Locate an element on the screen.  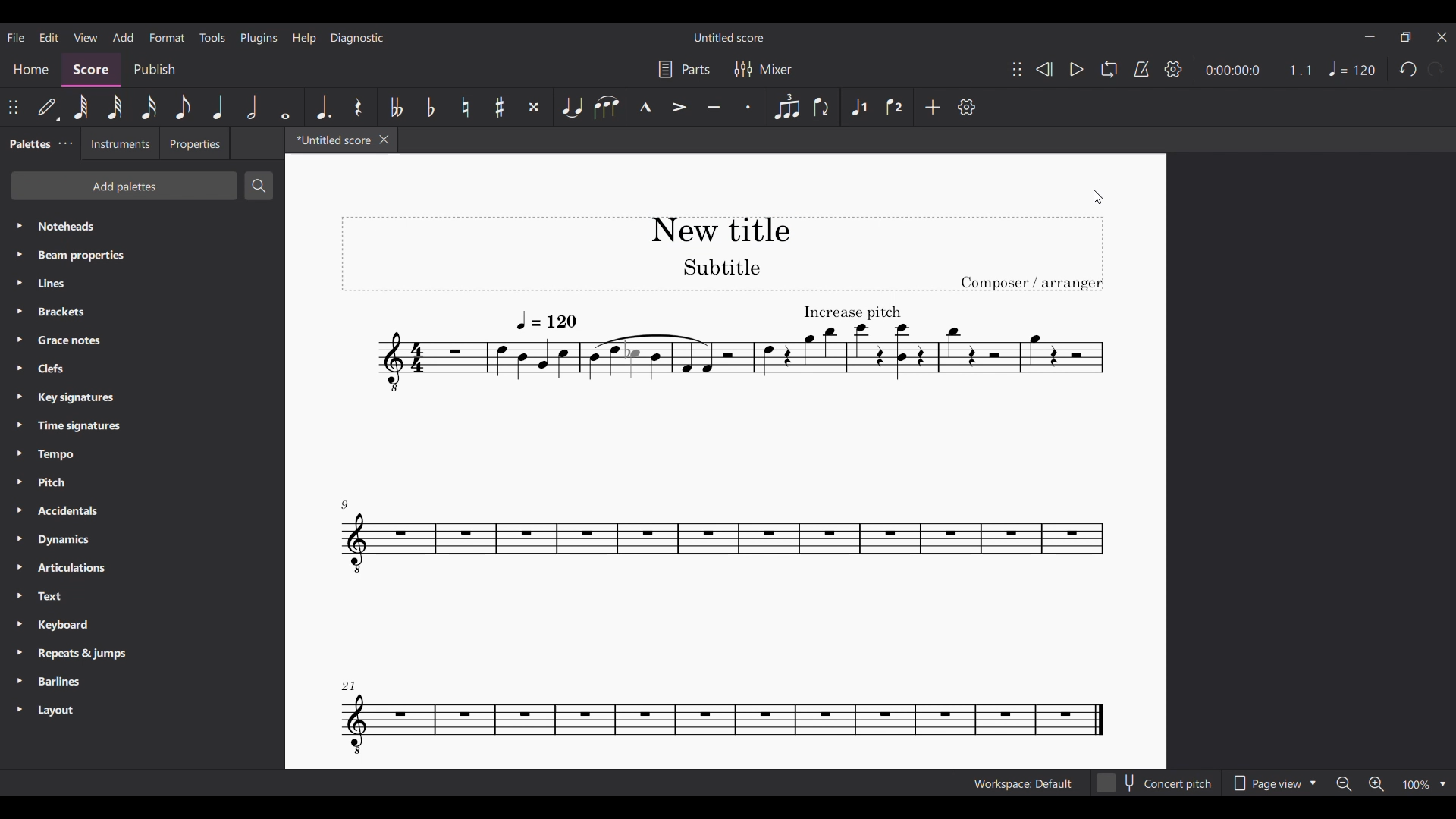
New title added to score using text tool is located at coordinates (721, 490).